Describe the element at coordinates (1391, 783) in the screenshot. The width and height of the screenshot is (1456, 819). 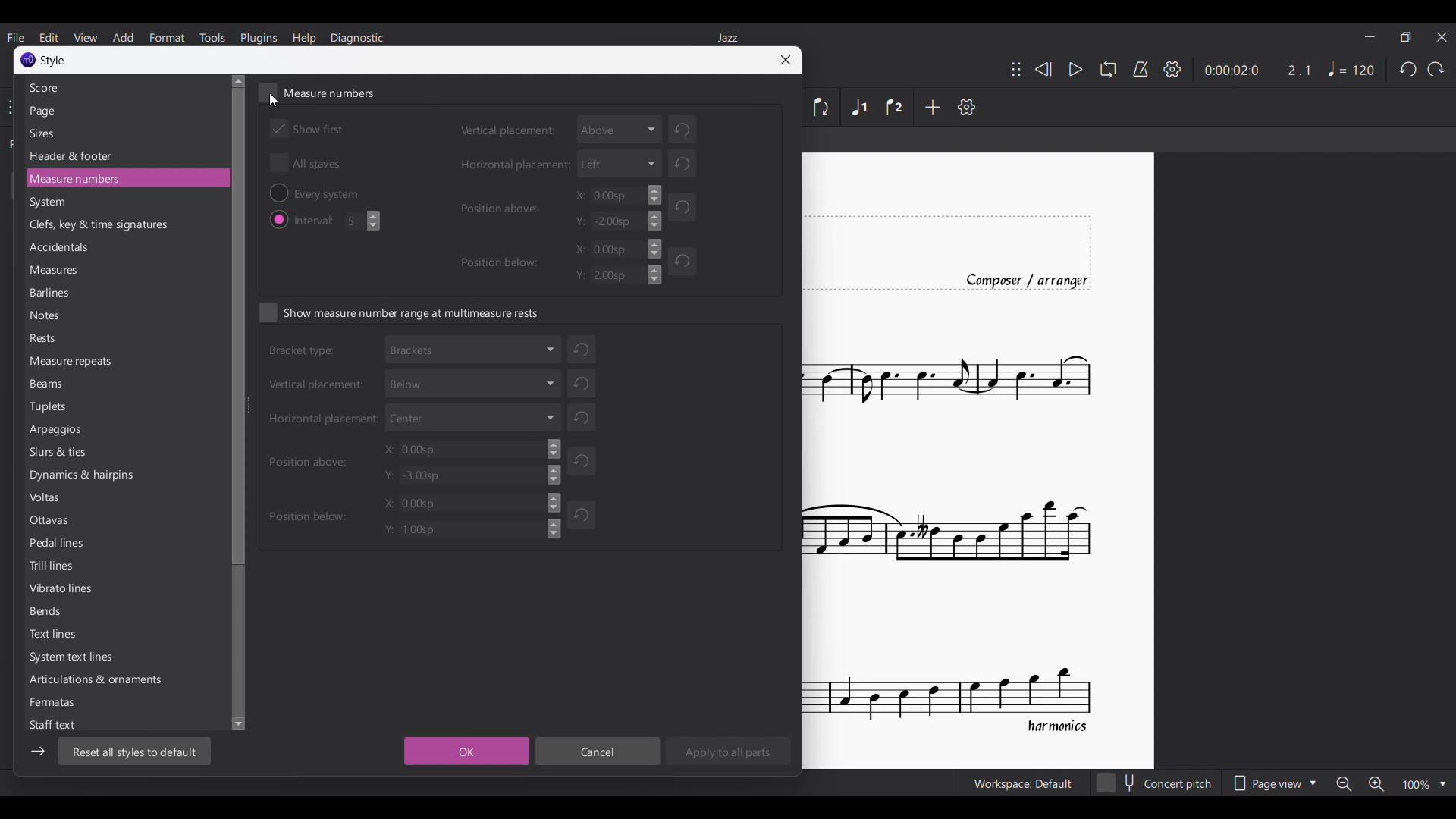
I see `Zoom options` at that location.